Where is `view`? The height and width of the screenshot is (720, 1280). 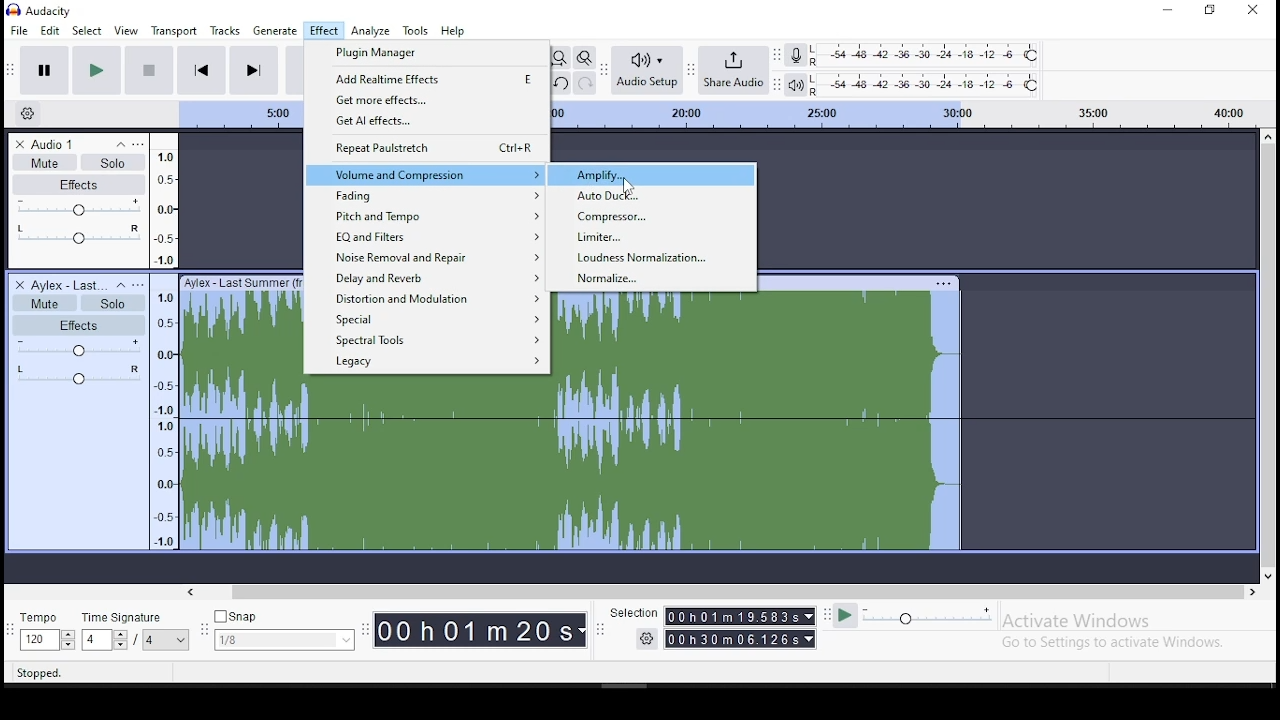 view is located at coordinates (129, 30).